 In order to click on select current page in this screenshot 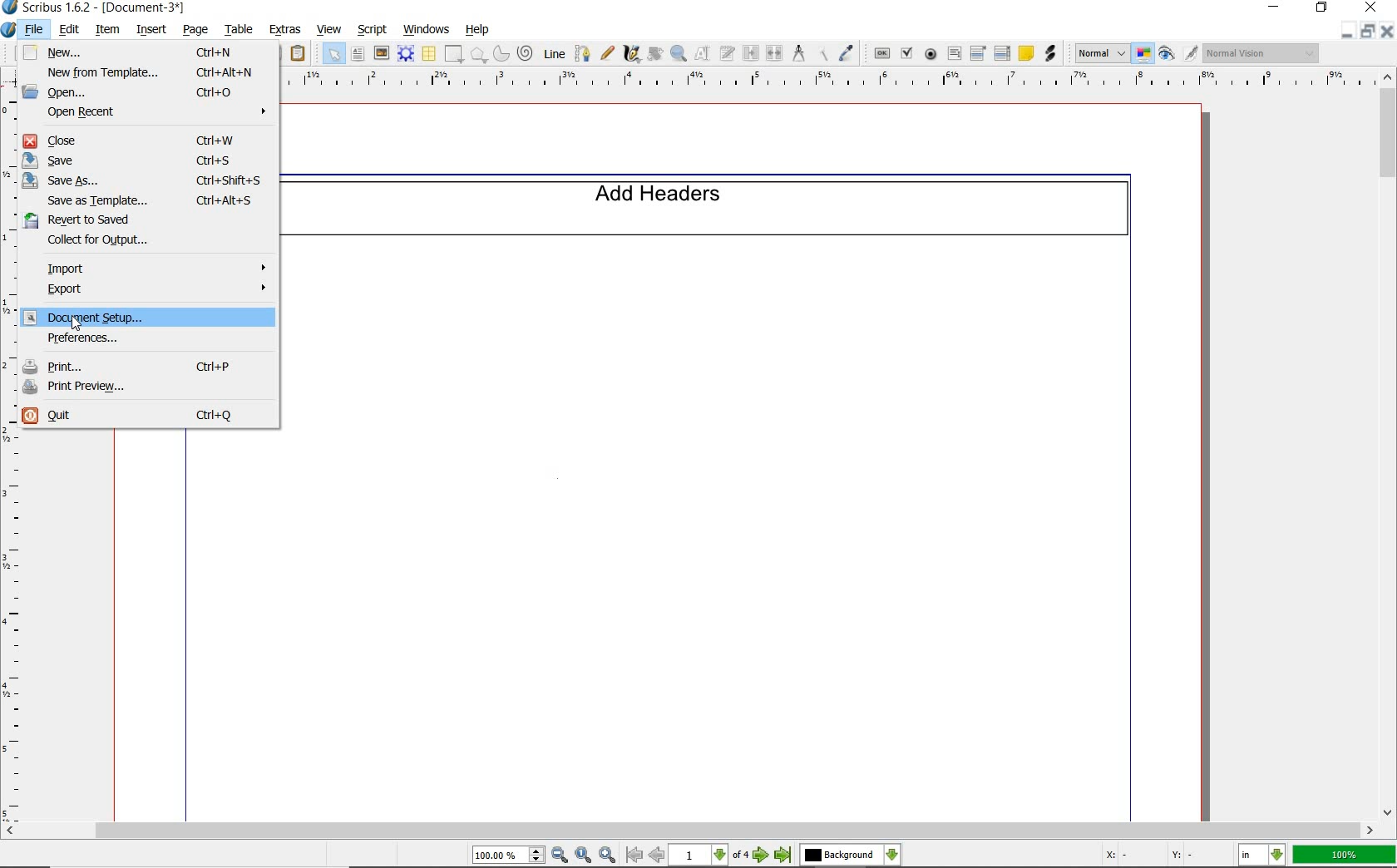, I will do `click(711, 856)`.